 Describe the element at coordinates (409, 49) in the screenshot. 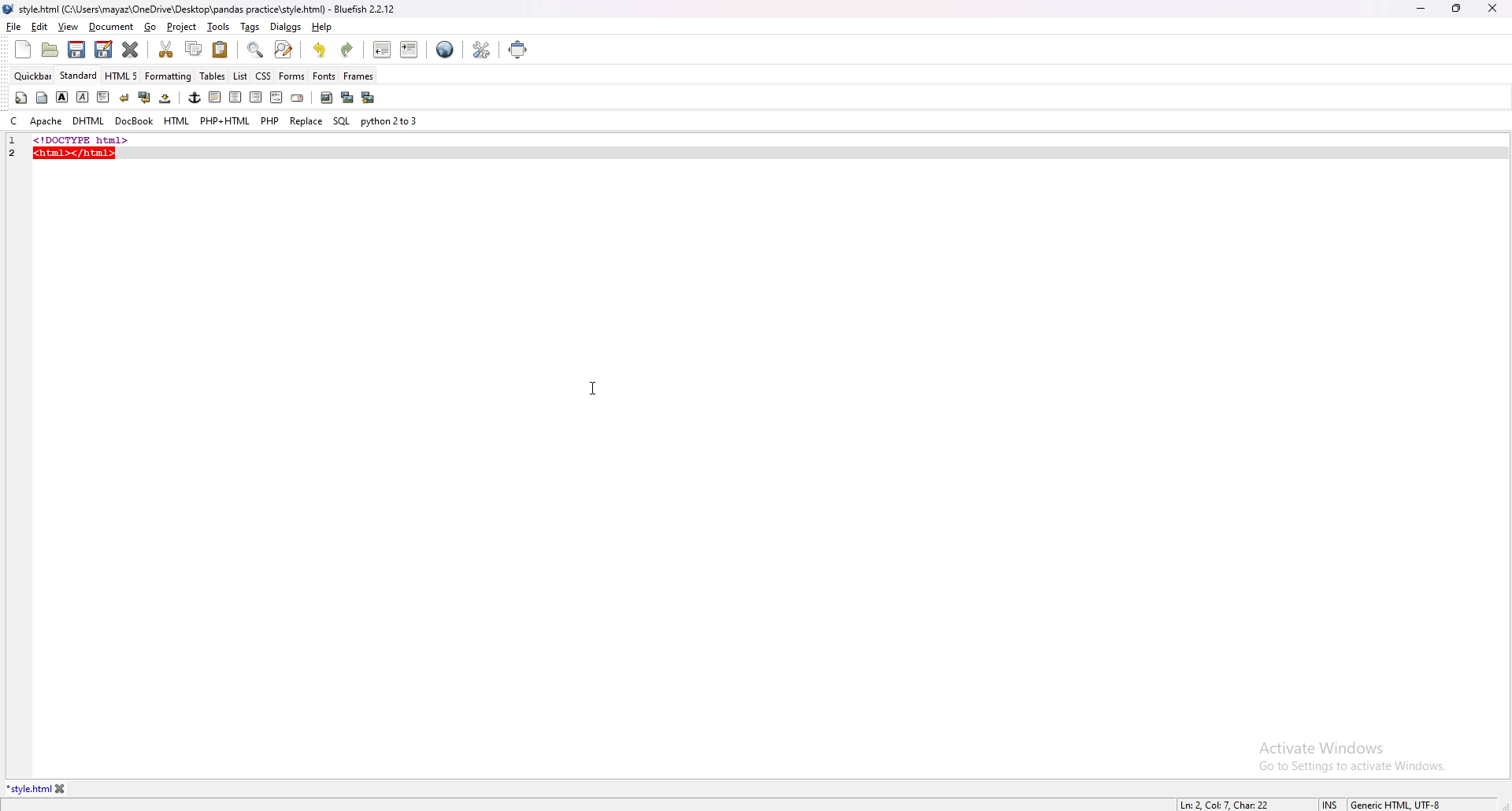

I see `indent` at that location.